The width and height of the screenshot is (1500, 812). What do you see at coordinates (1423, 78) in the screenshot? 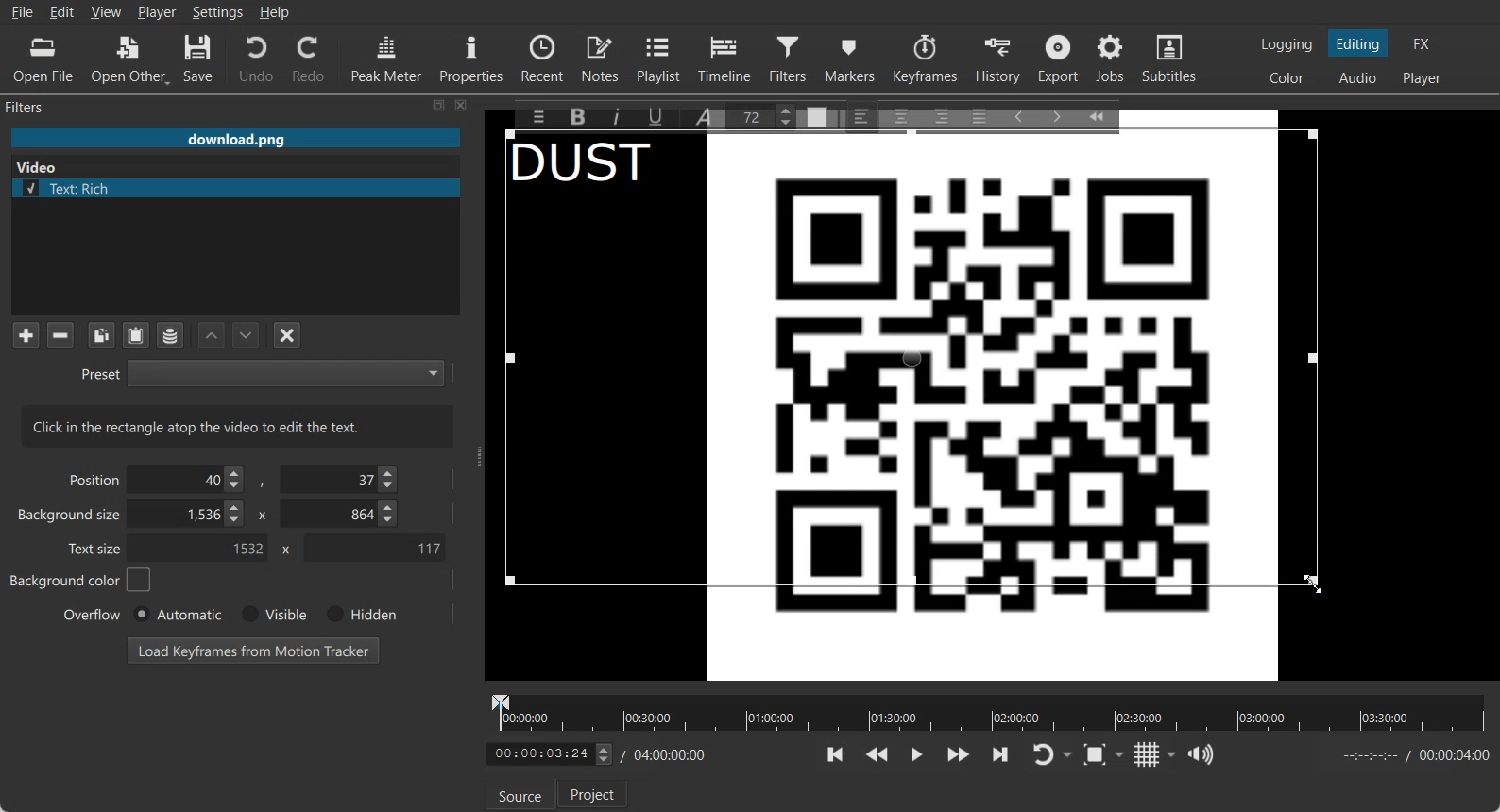
I see `Switching to the Player only layout` at bounding box center [1423, 78].